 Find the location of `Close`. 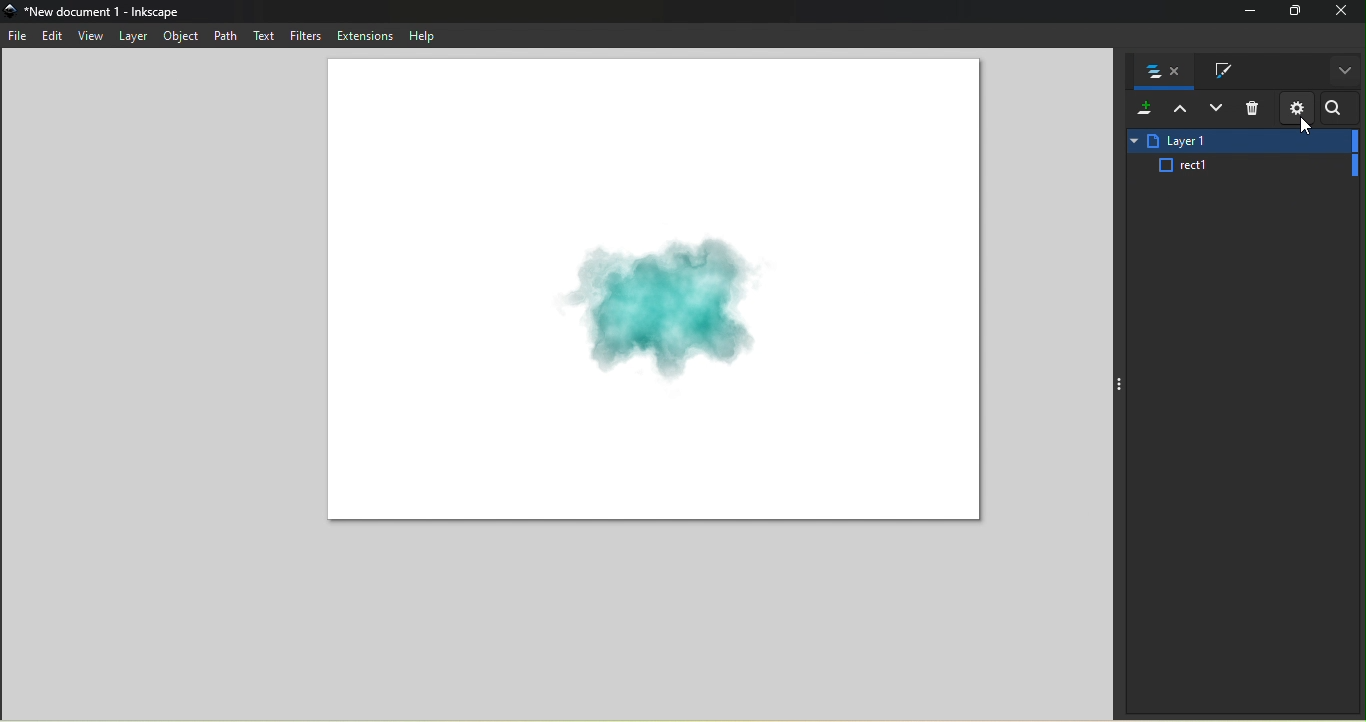

Close is located at coordinates (1343, 12).